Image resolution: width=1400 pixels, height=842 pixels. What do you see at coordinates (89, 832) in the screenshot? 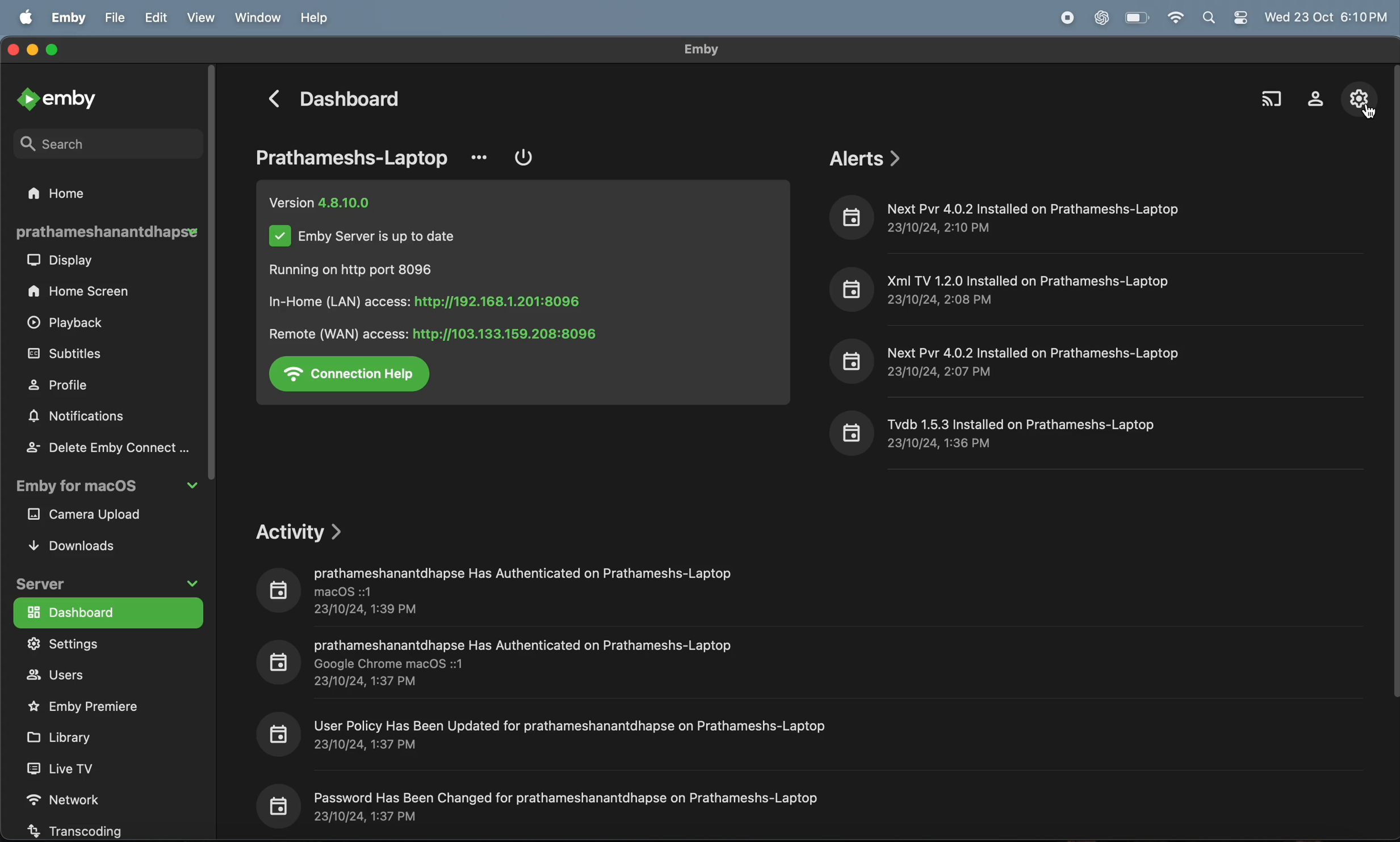
I see `transcoding` at bounding box center [89, 832].